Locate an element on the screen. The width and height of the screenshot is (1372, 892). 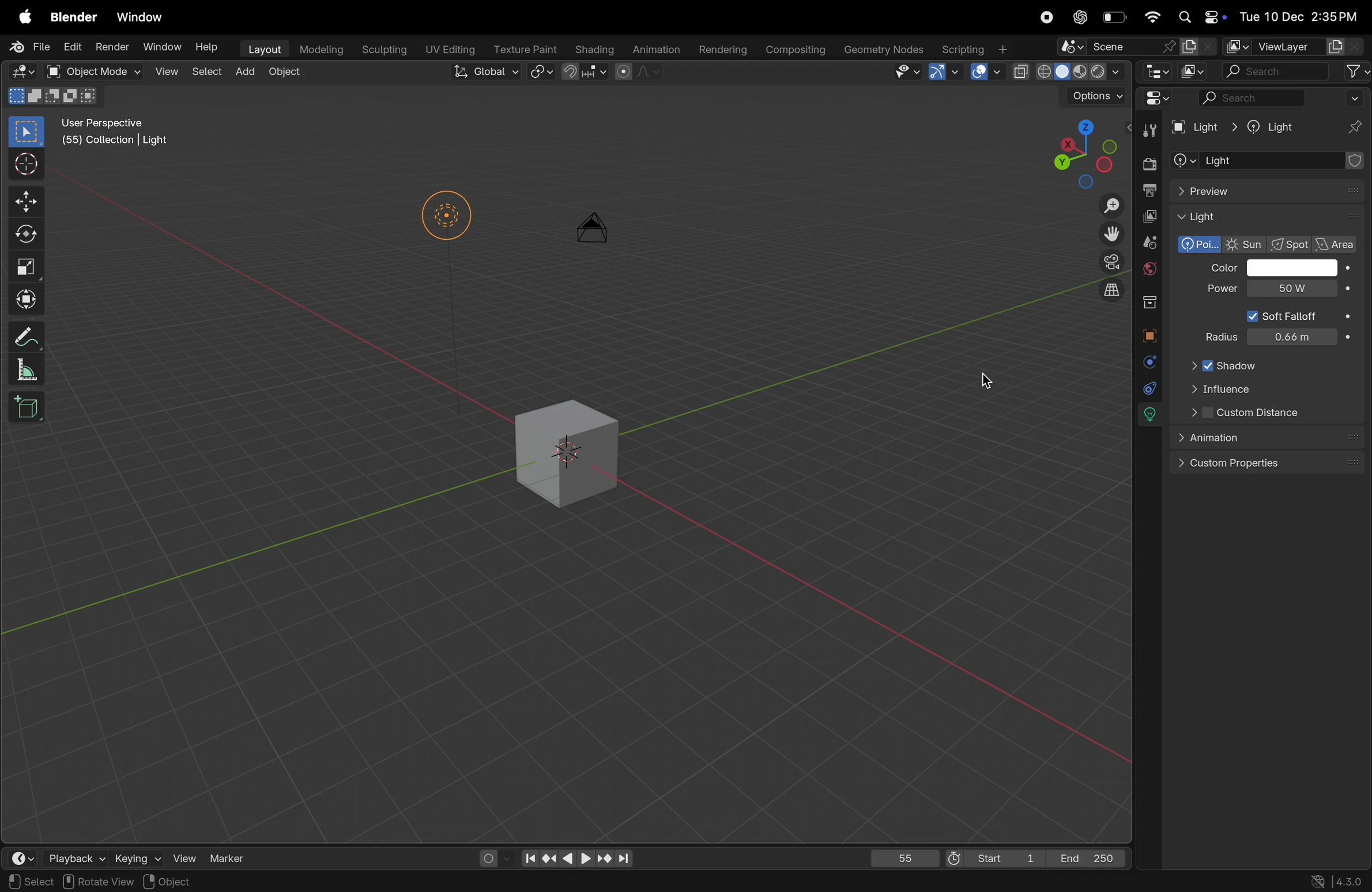
search is located at coordinates (1283, 98).